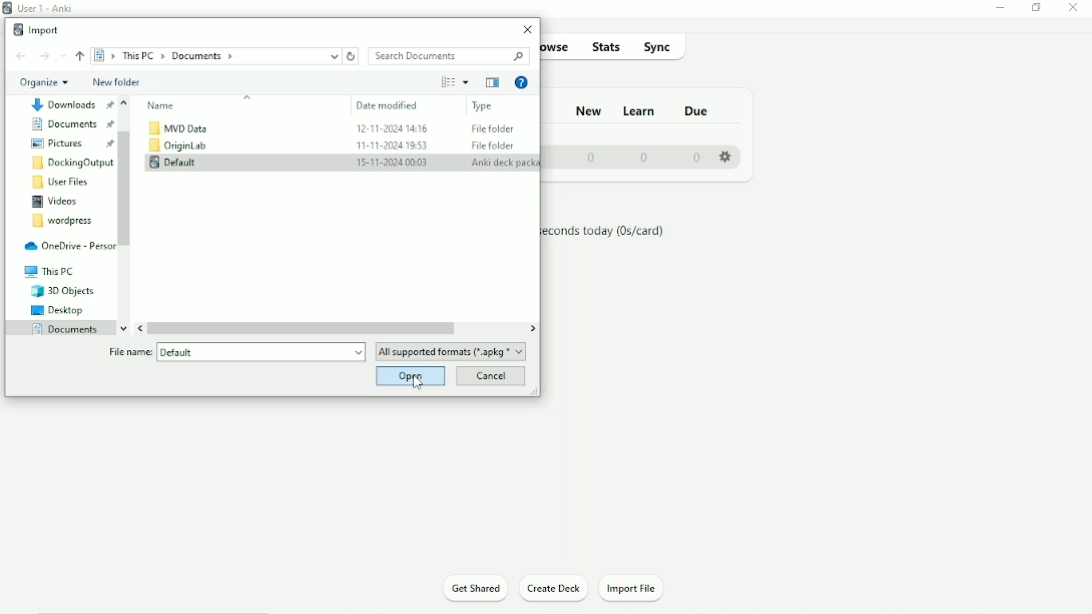 The height and width of the screenshot is (614, 1092). What do you see at coordinates (35, 29) in the screenshot?
I see `Import` at bounding box center [35, 29].